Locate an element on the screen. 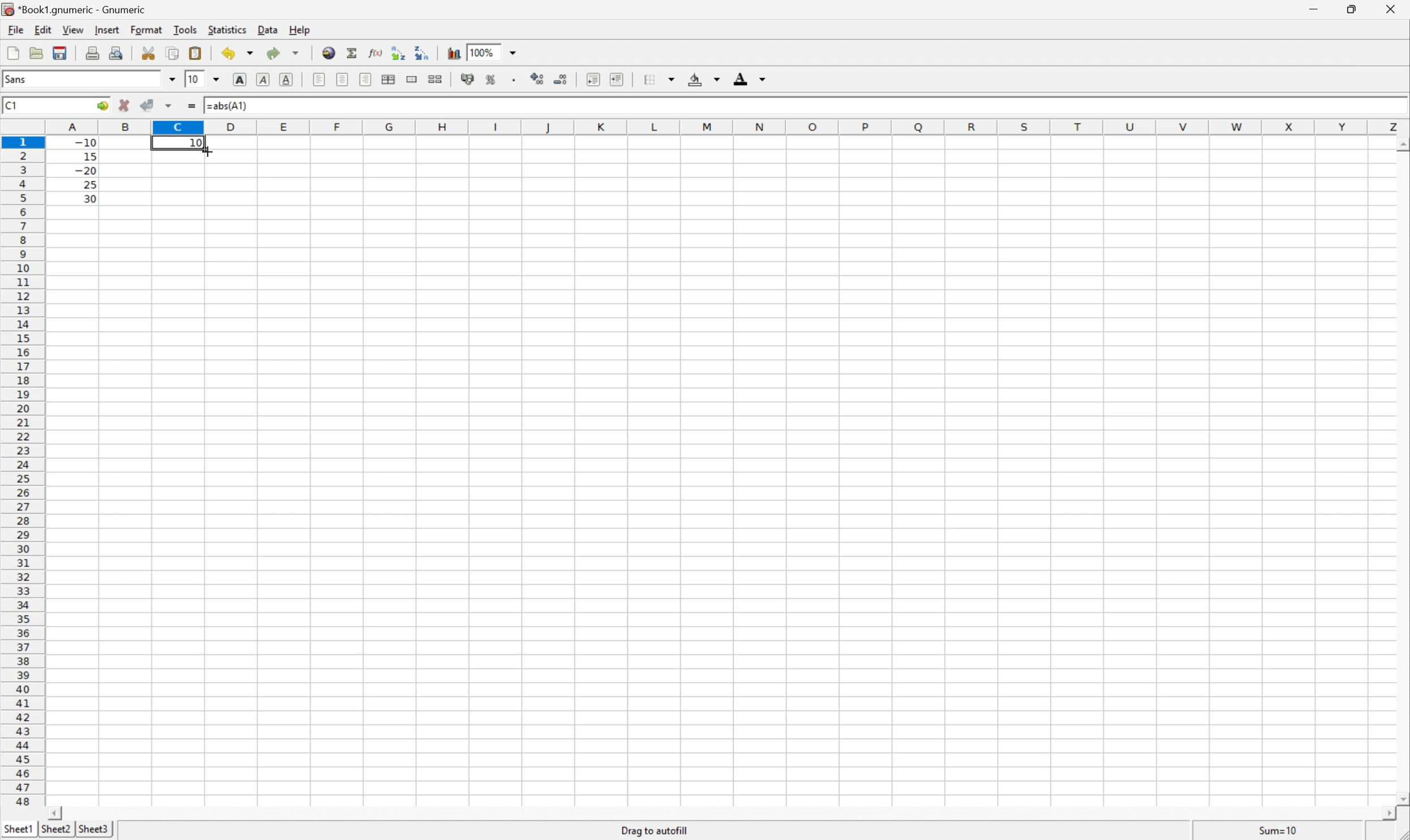  Scroll down is located at coordinates (1401, 797).